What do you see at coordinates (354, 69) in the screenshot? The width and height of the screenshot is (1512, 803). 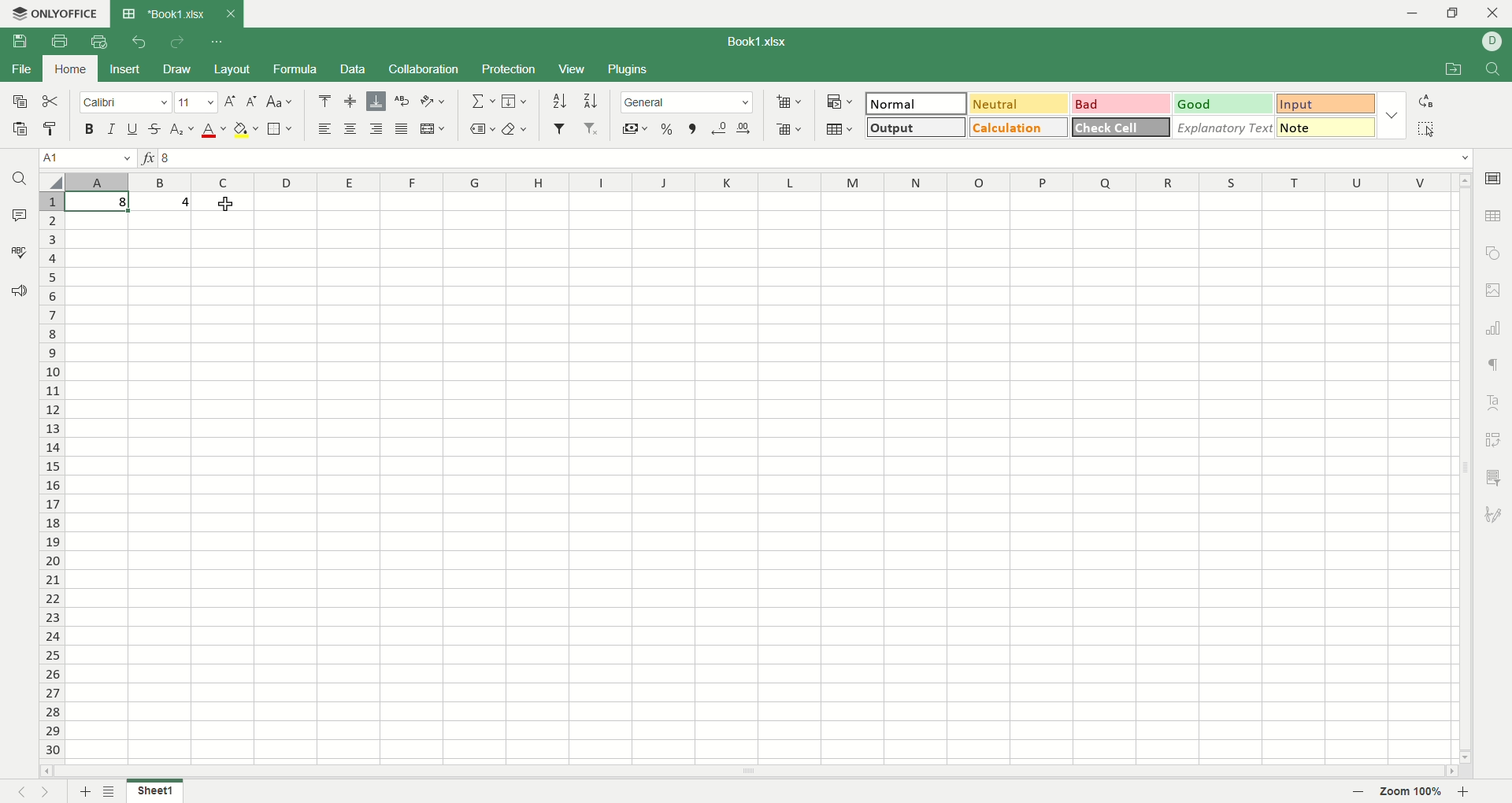 I see `data` at bounding box center [354, 69].